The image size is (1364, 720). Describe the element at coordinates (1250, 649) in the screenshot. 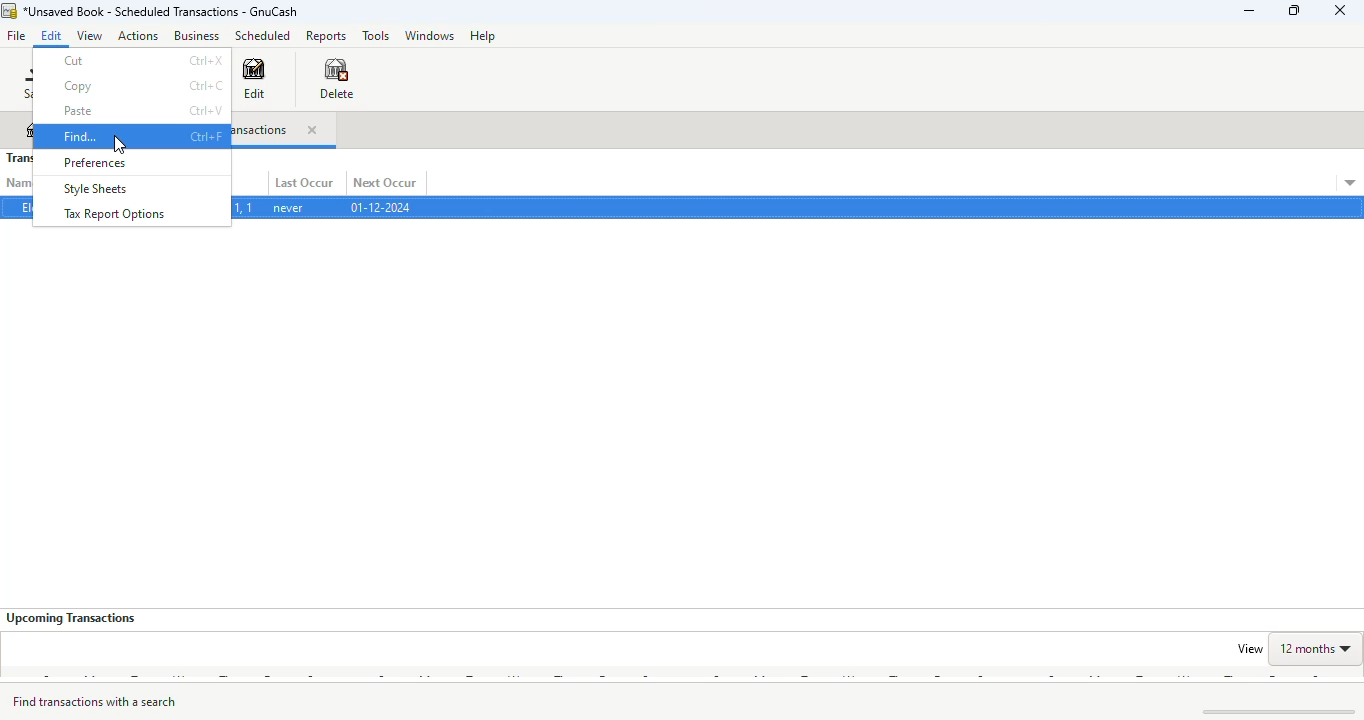

I see `view` at that location.